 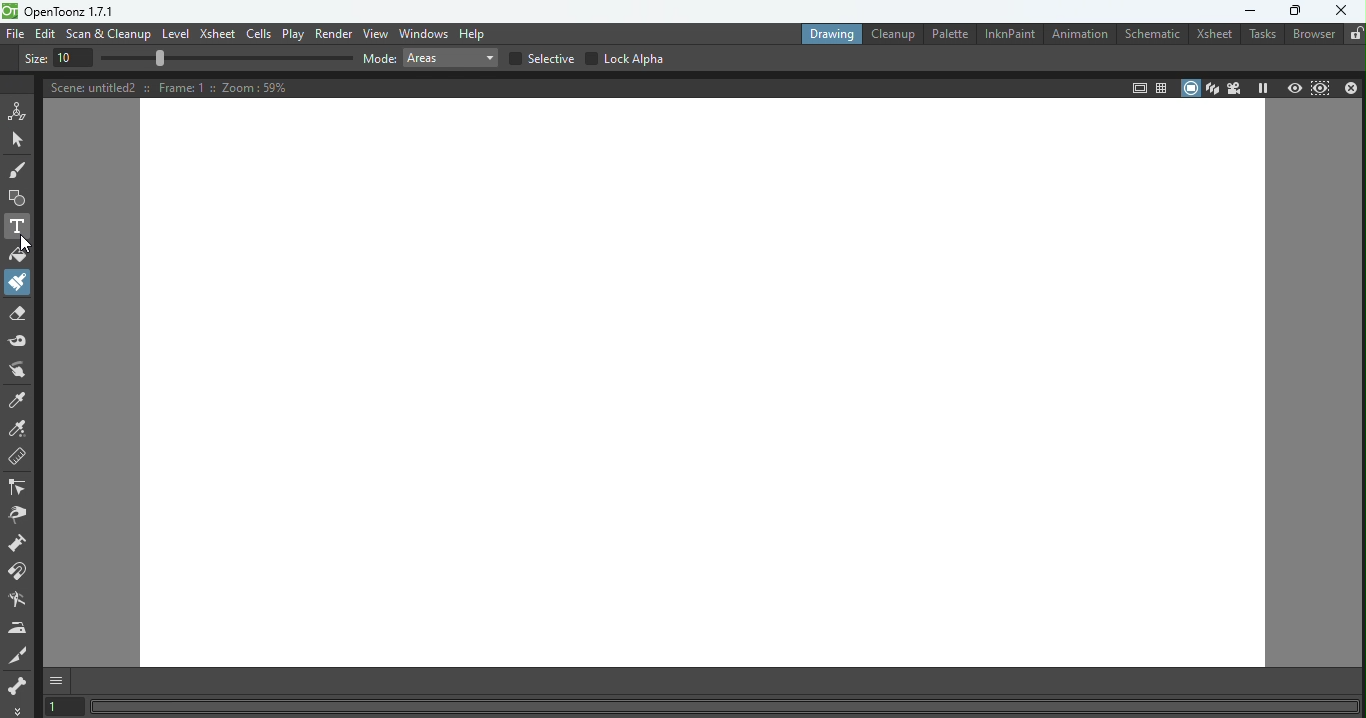 What do you see at coordinates (454, 61) in the screenshot?
I see `Drop down` at bounding box center [454, 61].